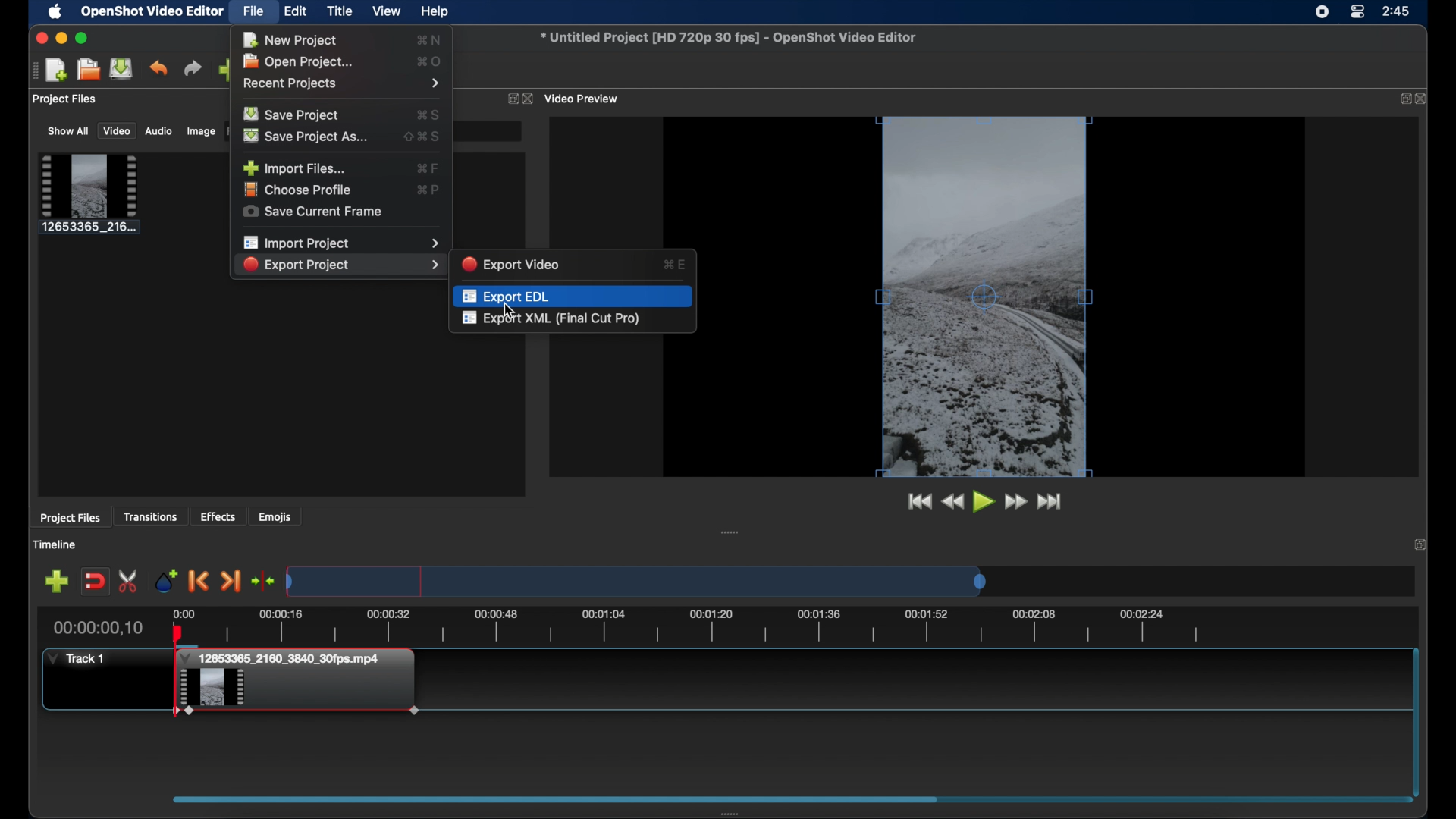 Image resolution: width=1456 pixels, height=819 pixels. Describe the element at coordinates (66, 100) in the screenshot. I see `project files` at that location.